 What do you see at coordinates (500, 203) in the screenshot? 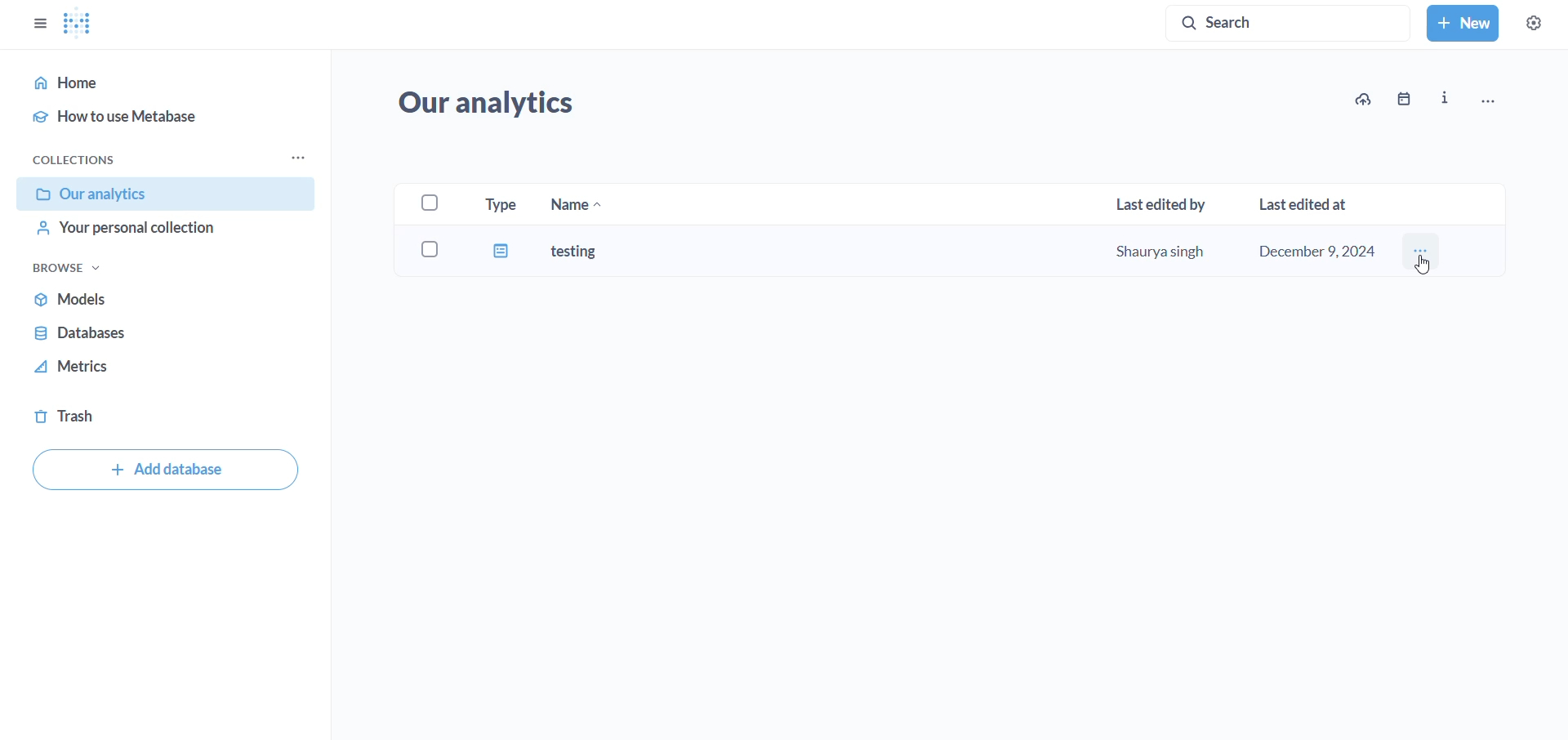
I see `type` at bounding box center [500, 203].